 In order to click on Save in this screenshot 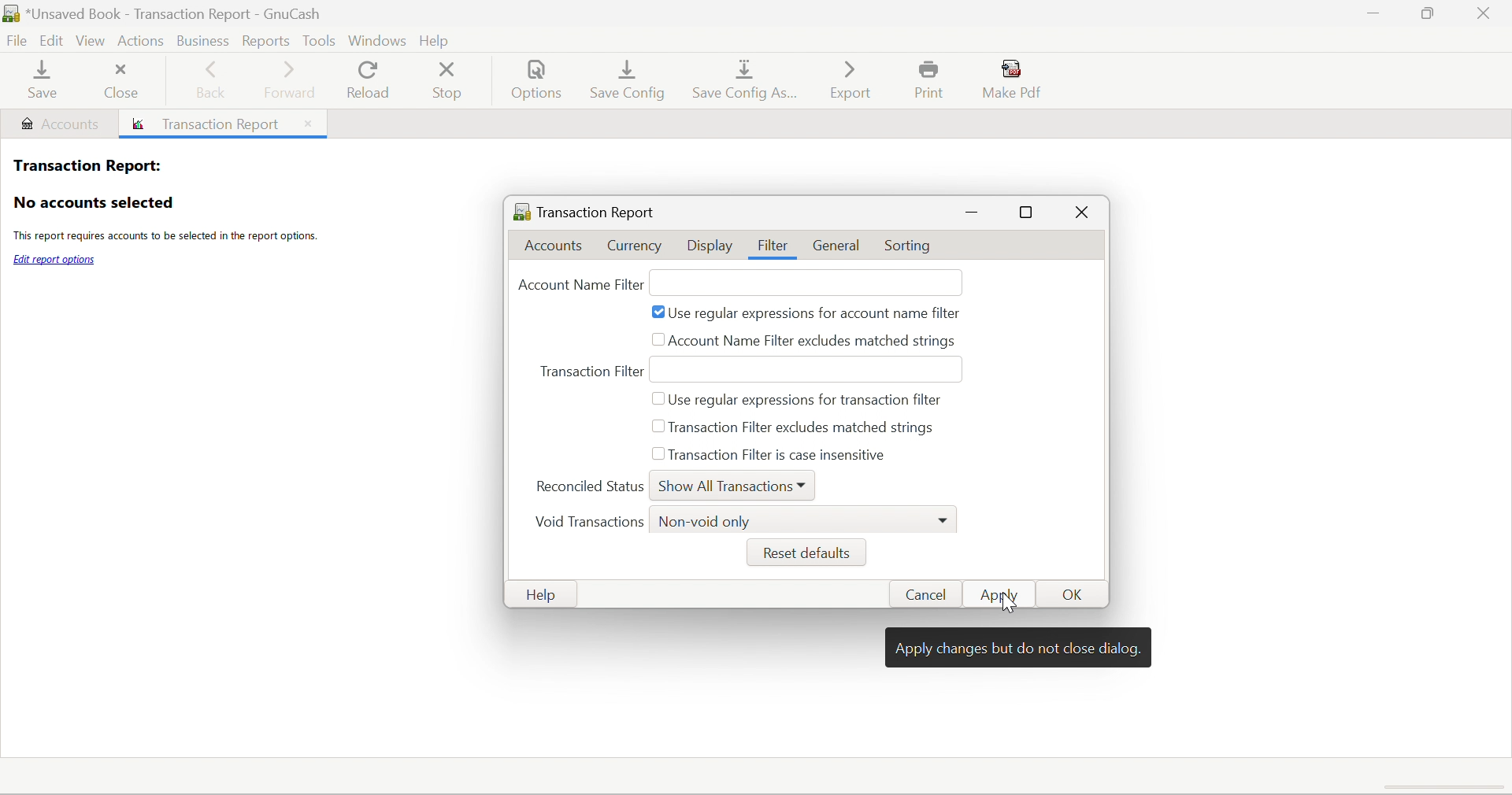, I will do `click(39, 82)`.